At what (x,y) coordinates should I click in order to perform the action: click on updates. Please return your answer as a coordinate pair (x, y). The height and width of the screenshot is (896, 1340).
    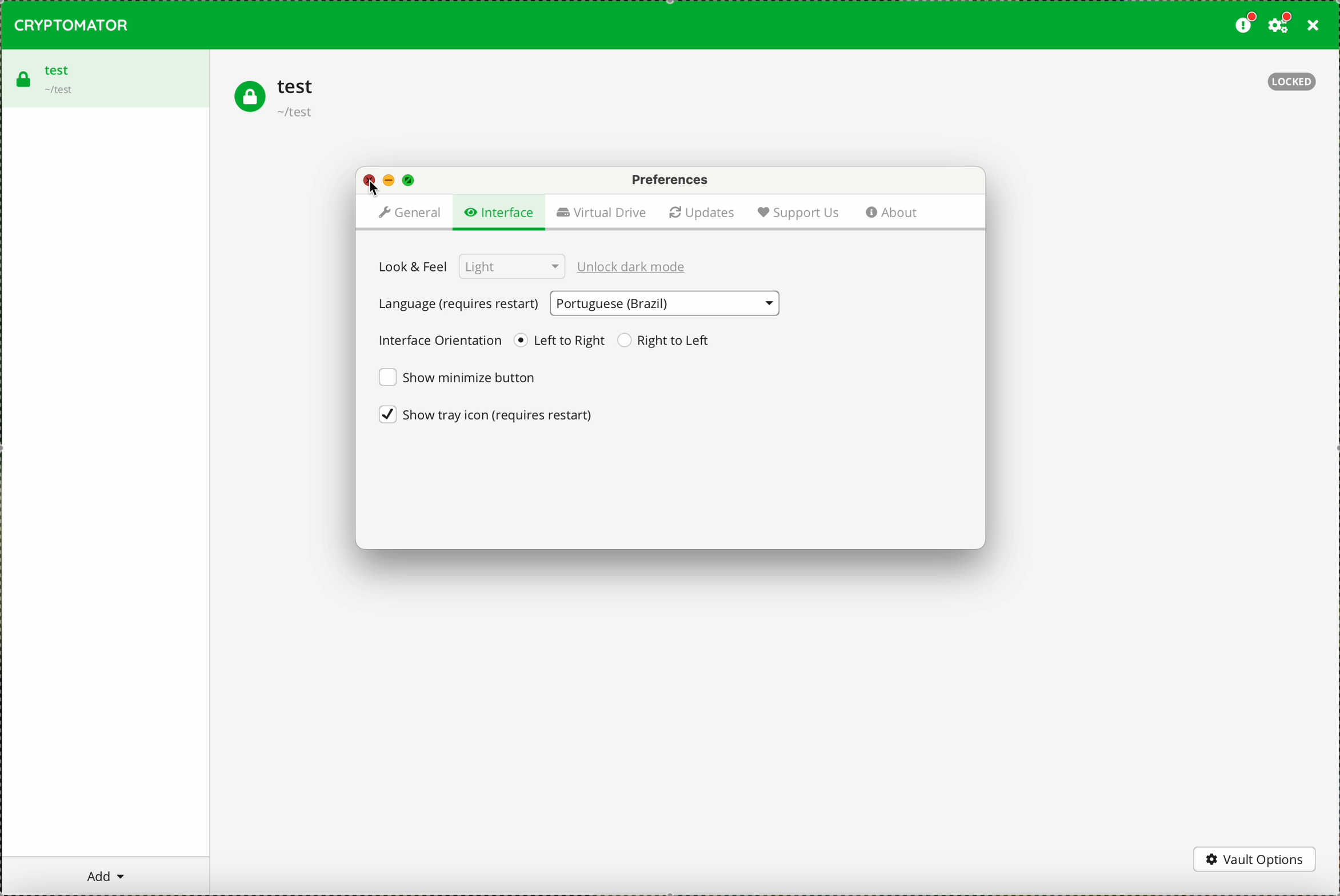
    Looking at the image, I should click on (702, 211).